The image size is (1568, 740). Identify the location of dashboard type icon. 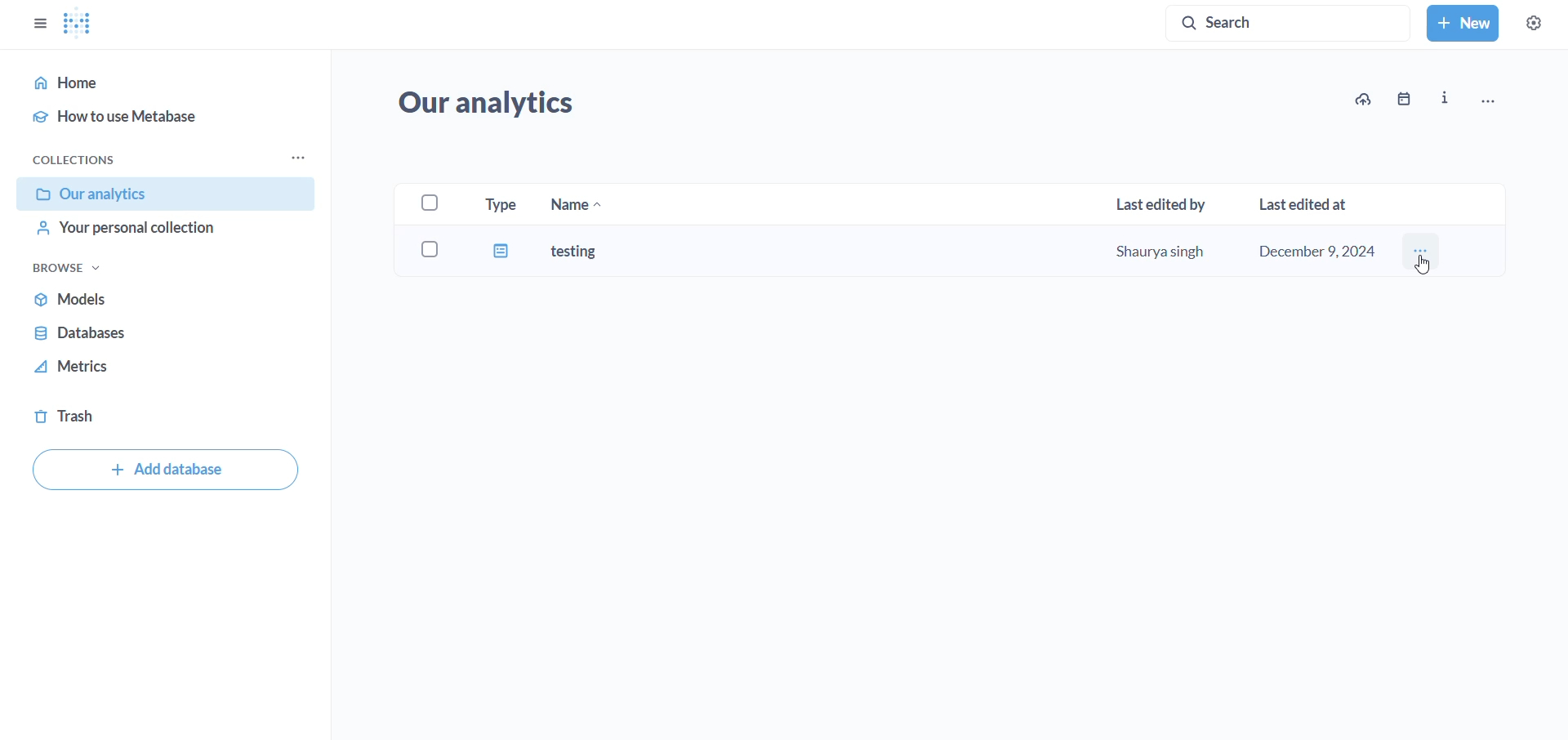
(504, 254).